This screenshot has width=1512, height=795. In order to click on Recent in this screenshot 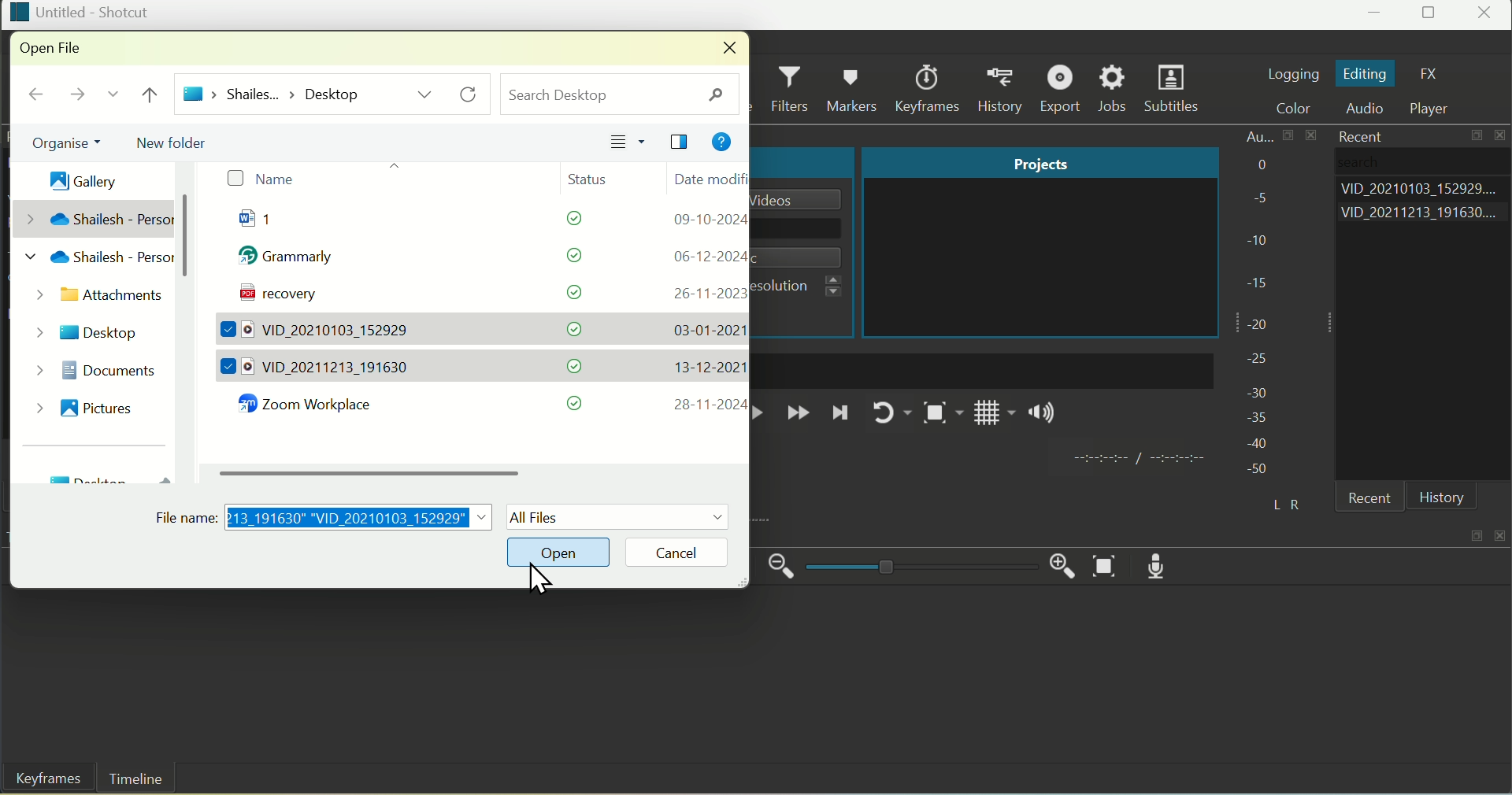, I will do `click(1356, 135)`.